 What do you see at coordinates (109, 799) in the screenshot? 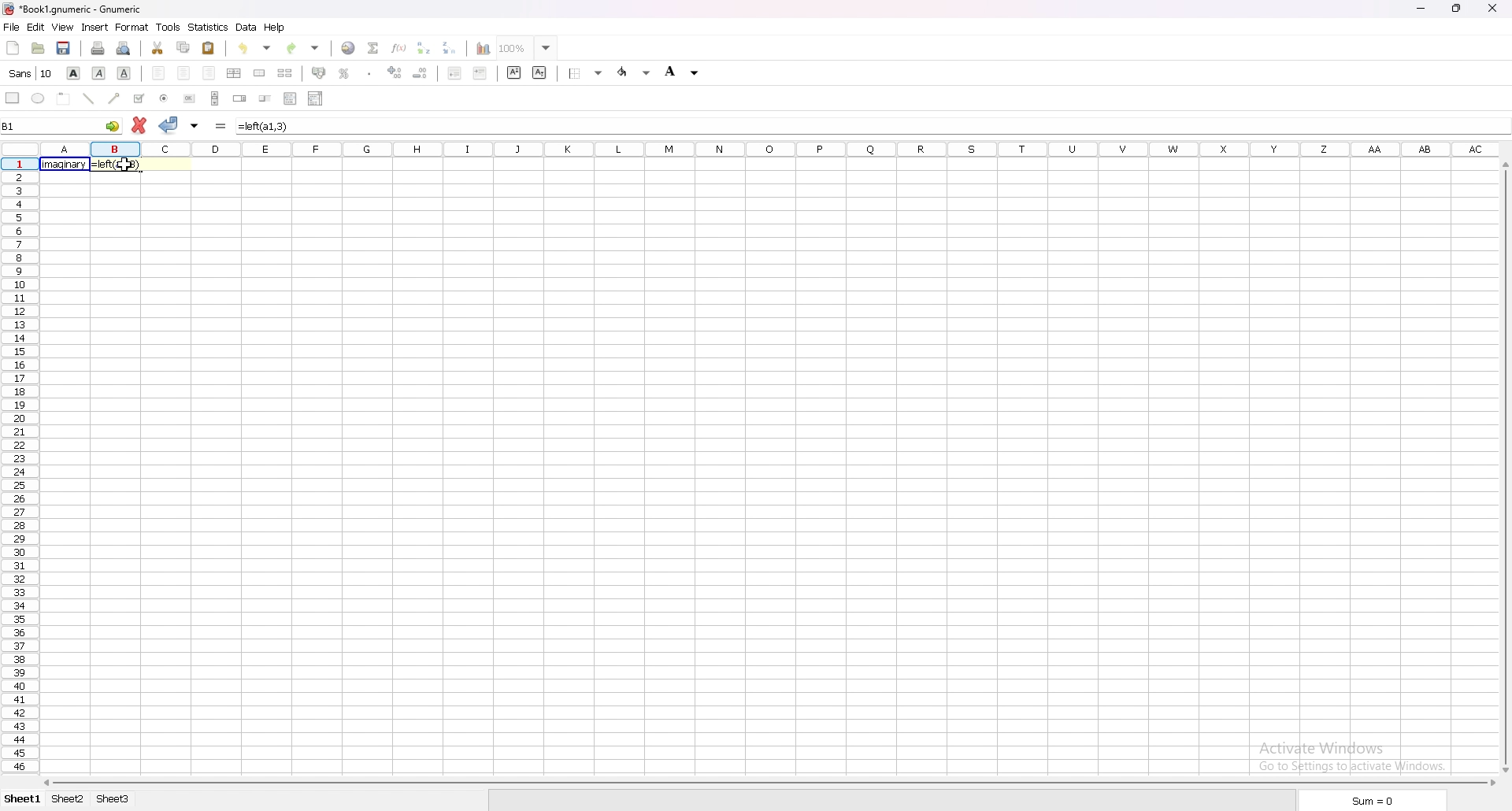
I see `sheet` at bounding box center [109, 799].